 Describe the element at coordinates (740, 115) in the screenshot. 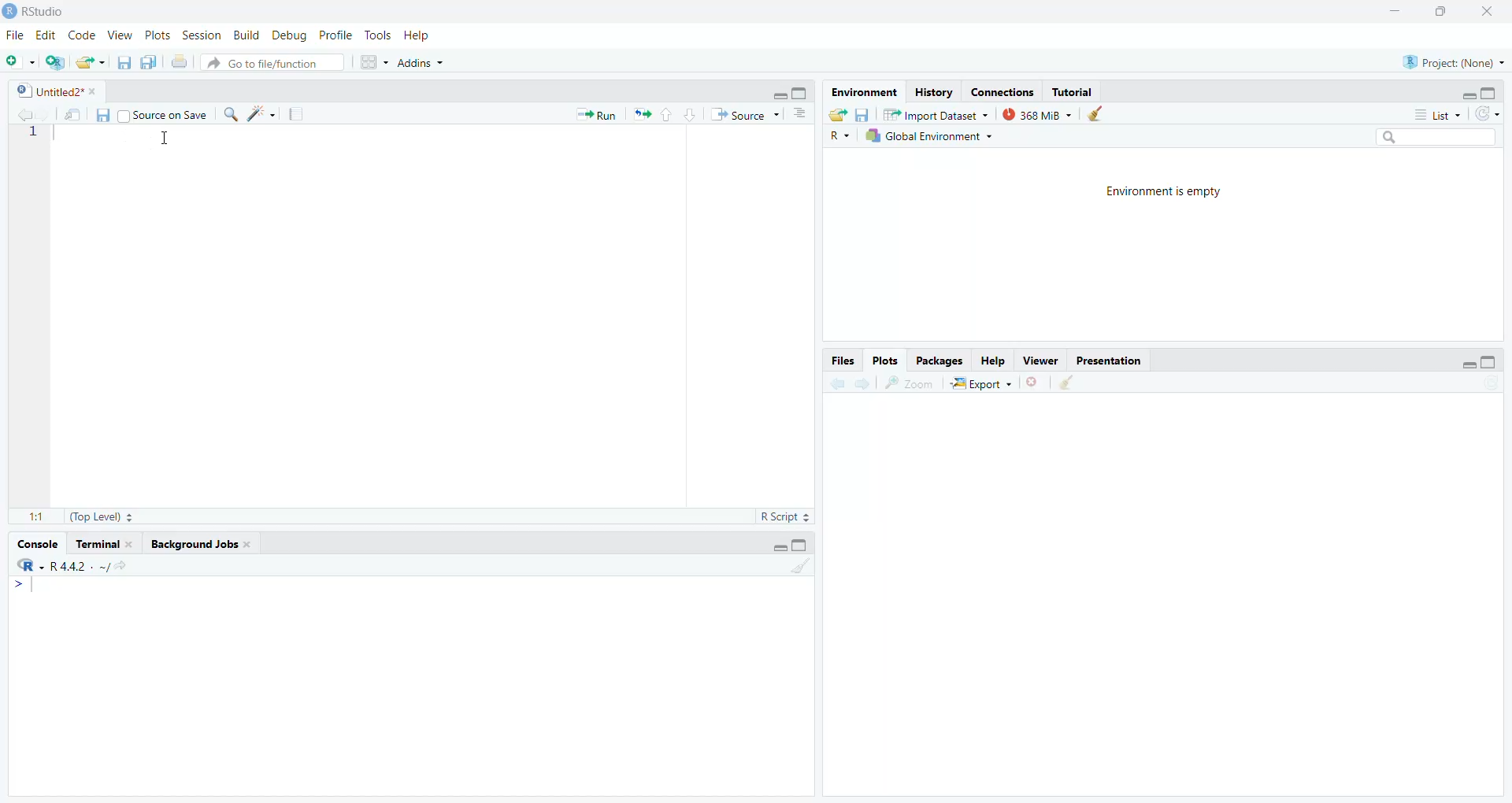

I see `Source` at that location.